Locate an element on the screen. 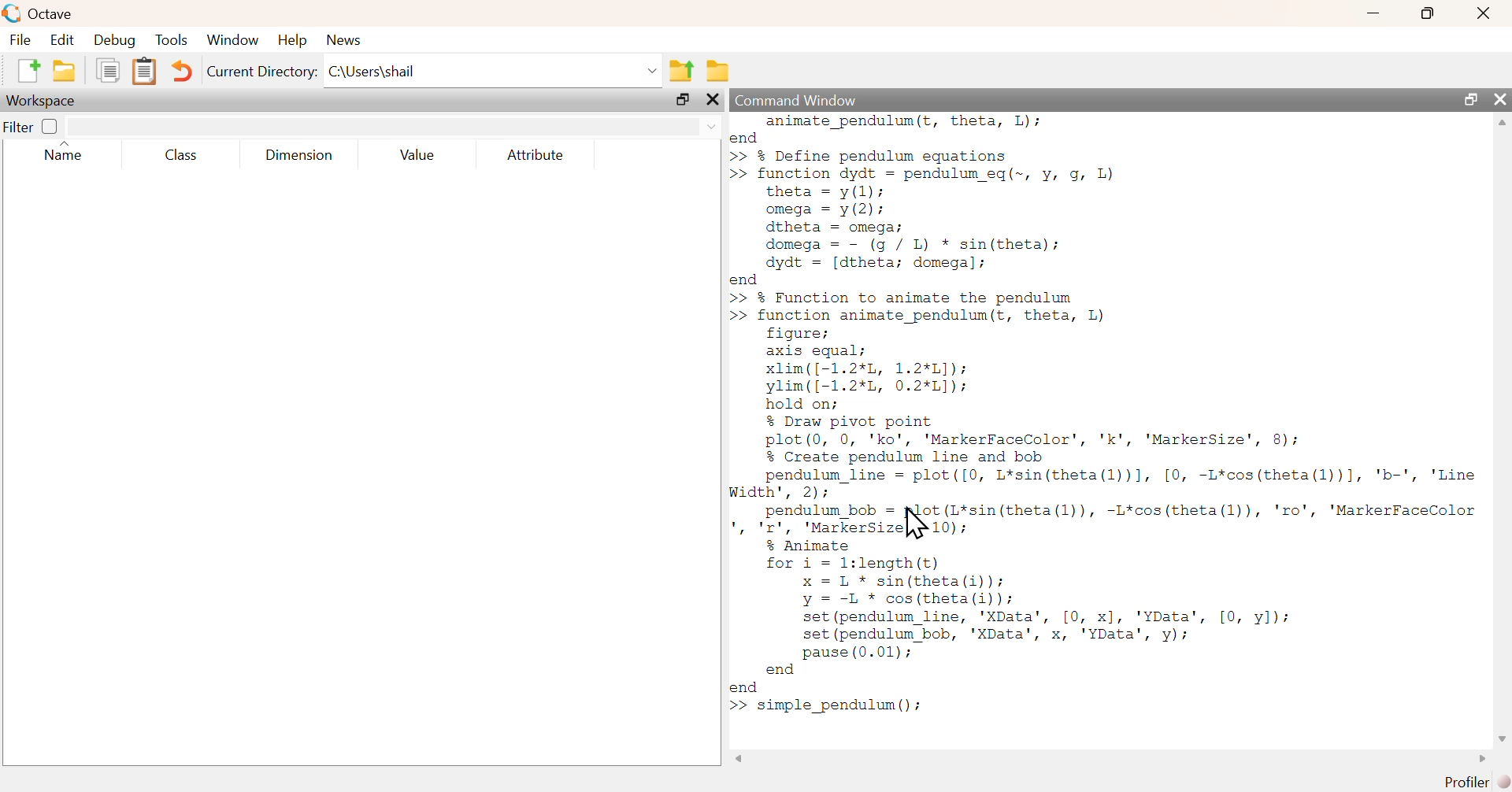 The height and width of the screenshot is (792, 1512). animate_pendulum(t, theta, L);:
end
>> % Define pendulum equations
>> function dydt = pendulum eq(~, y, g, L)
theta = y (1);
omega = y (2);
dtheta = omega;
domega = - (g / L) * sin(theta);
dydt = [dtheta; domega];
end
>> % Function to animate the pendulum
>> function animate pendulum(t, theta, L)
figure;
axis equal;
x1im([-1.2*L, 1.2*L]):
ylim([-1.2*L, 0.2*L]):
hold on;
% Draw pivot point
plot (0, 0, 'ko', 'MarkerFaceColor', 'k', 'MarkerSize', 8);
% Create pendulum line and bob
pendulum line = plot ([0, L*sin(theta(1l))], [0, -L*cos(theta(l))], 'b-', 'Line
Width', 2);
pendulum bob = Flot (L*sin(theta(l)), -L*cos(theta(l)), 'ro', 'MarkerFaceColor
vor, NarFersize p10);
% Animate
for i = 1:length(t)
x = L * sin(theta(i)):
y = -L * cos(theta(i)):
set (pendulum line, 'XData', [0, x], 'YData', [0, yl):
set (pendulum bob, 'XData', x, 'YData', y);:
pause (0.01) ;
end
end
>> simple pendulum(); is located at coordinates (1104, 415).